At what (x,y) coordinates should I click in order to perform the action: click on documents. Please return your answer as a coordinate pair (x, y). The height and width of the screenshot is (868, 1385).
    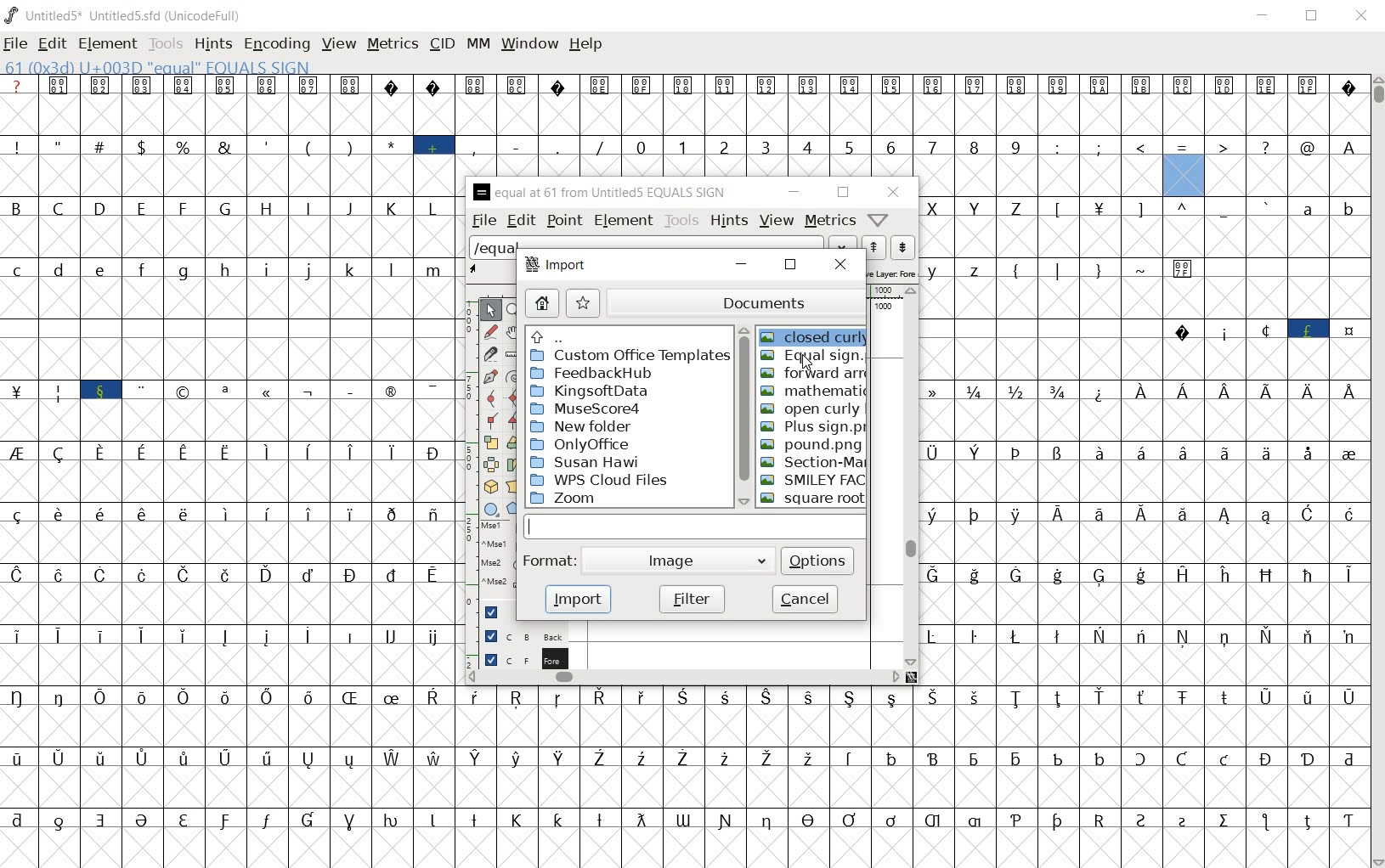
    Looking at the image, I should click on (732, 304).